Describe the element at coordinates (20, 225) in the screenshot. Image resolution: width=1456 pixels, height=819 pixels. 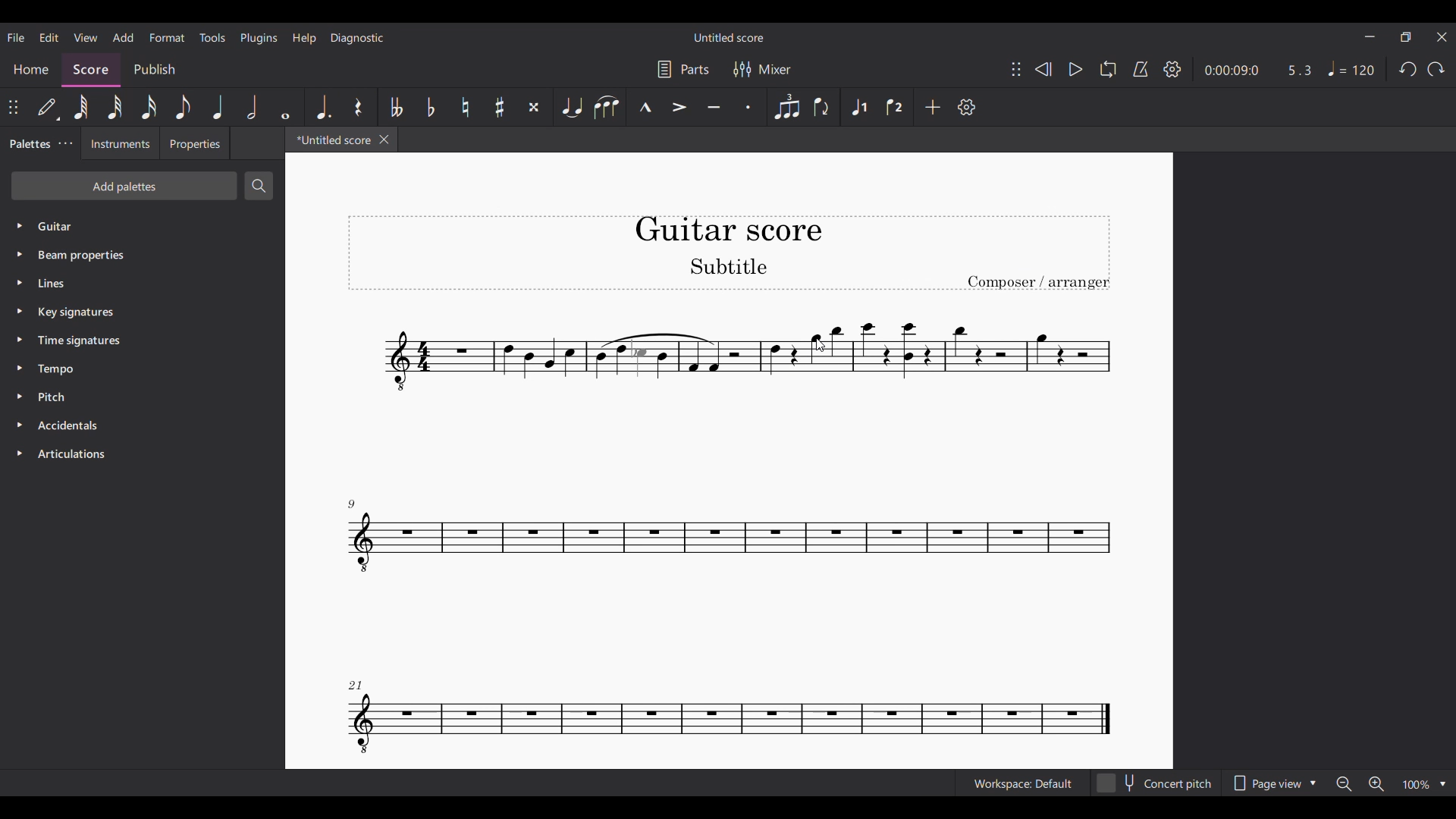
I see `Click to expand Guitar palette` at that location.